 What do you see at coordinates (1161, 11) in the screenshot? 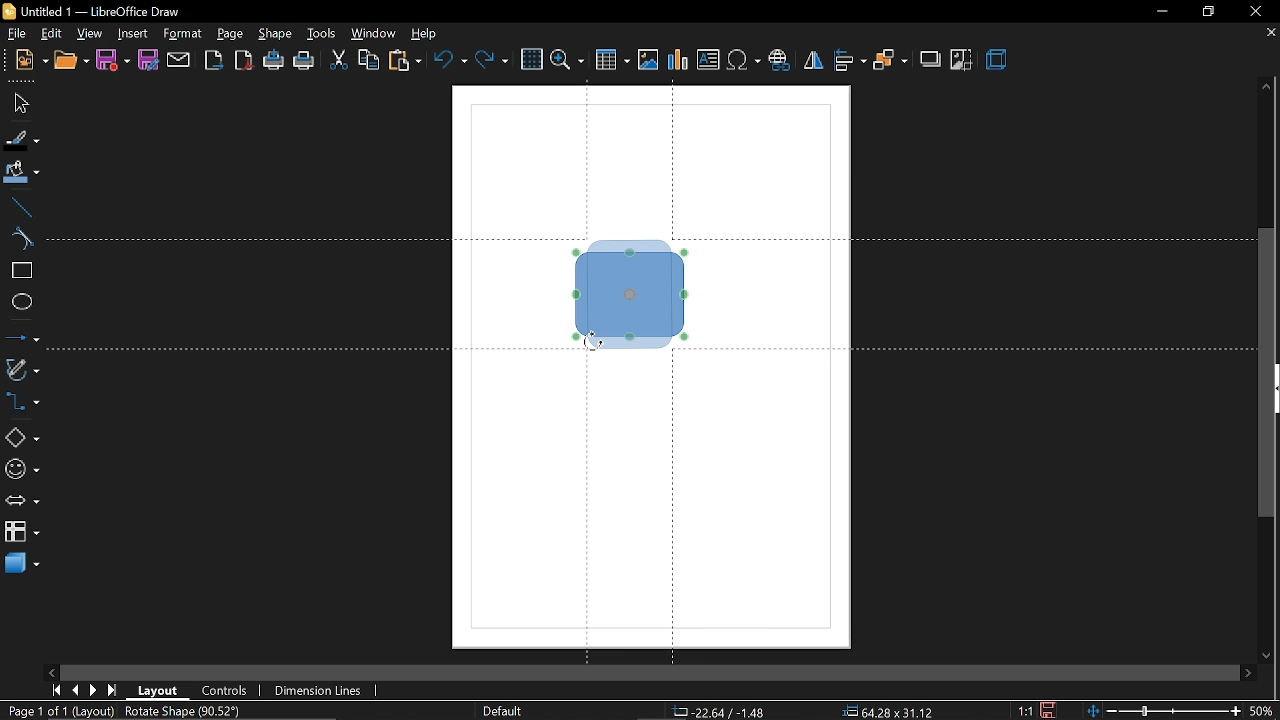
I see `minimize` at bounding box center [1161, 11].